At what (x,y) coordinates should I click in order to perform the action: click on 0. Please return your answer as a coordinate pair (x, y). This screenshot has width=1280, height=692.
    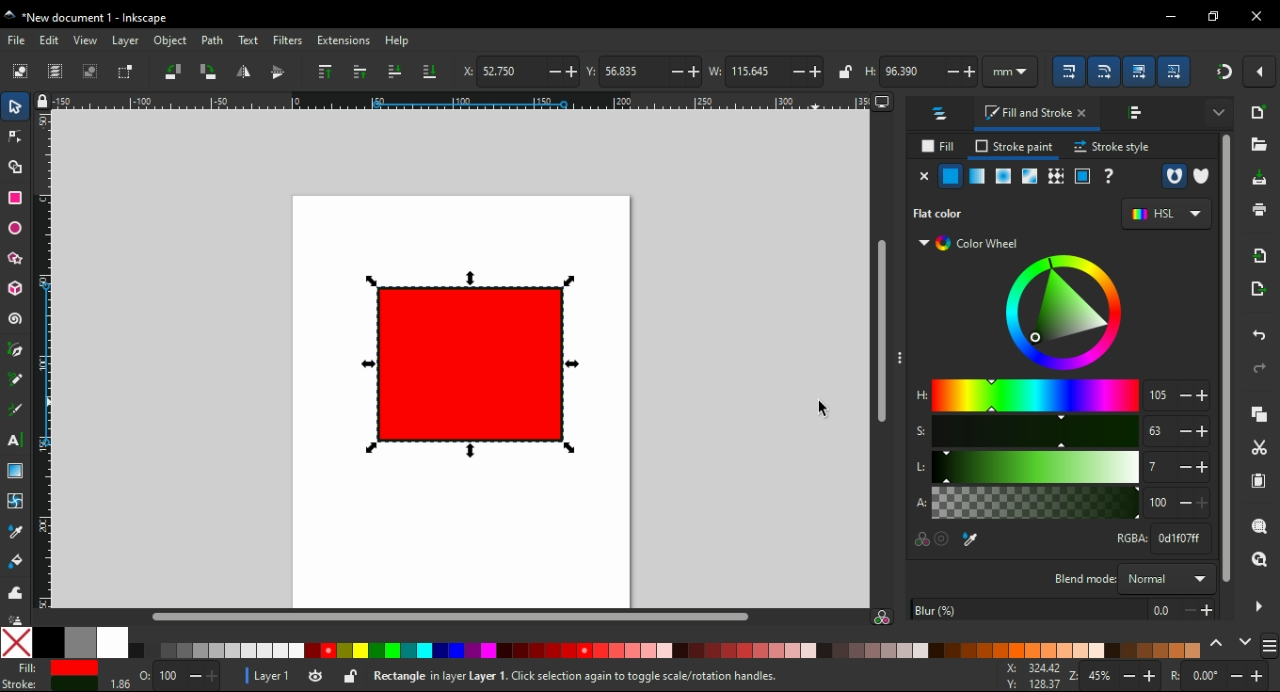
    Looking at the image, I should click on (1163, 610).